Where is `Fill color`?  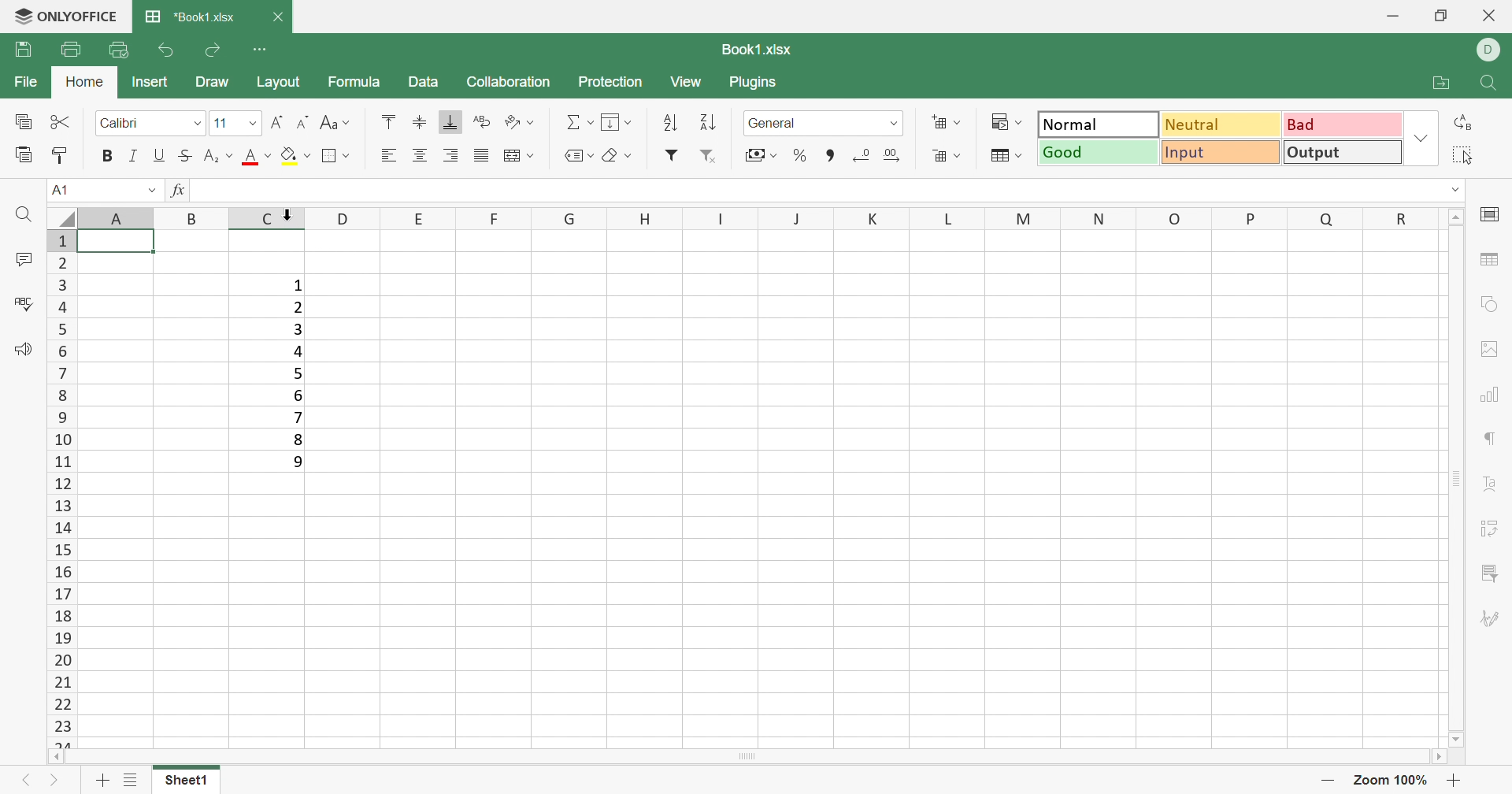 Fill color is located at coordinates (292, 153).